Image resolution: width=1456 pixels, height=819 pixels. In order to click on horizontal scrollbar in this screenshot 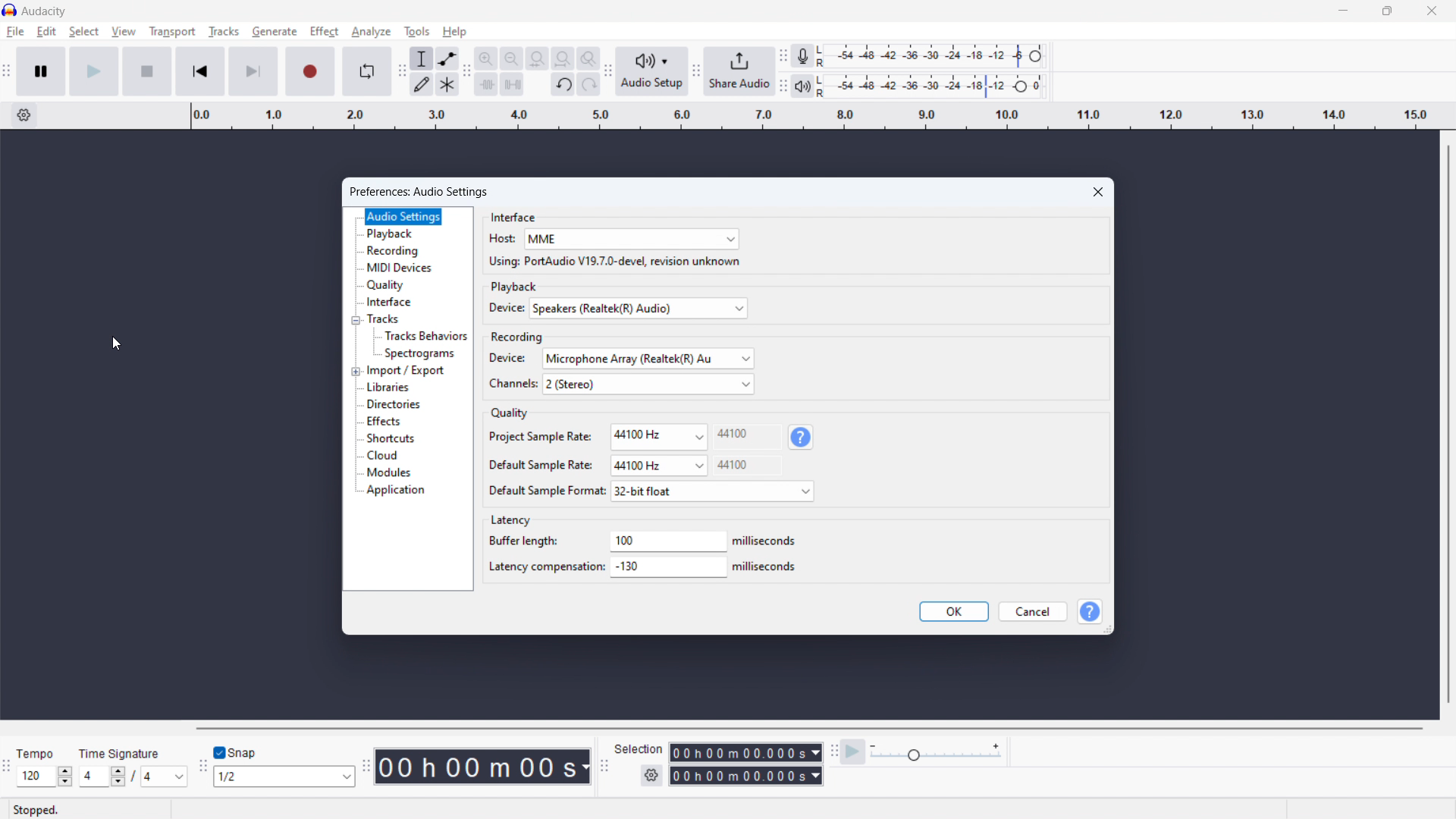, I will do `click(808, 728)`.